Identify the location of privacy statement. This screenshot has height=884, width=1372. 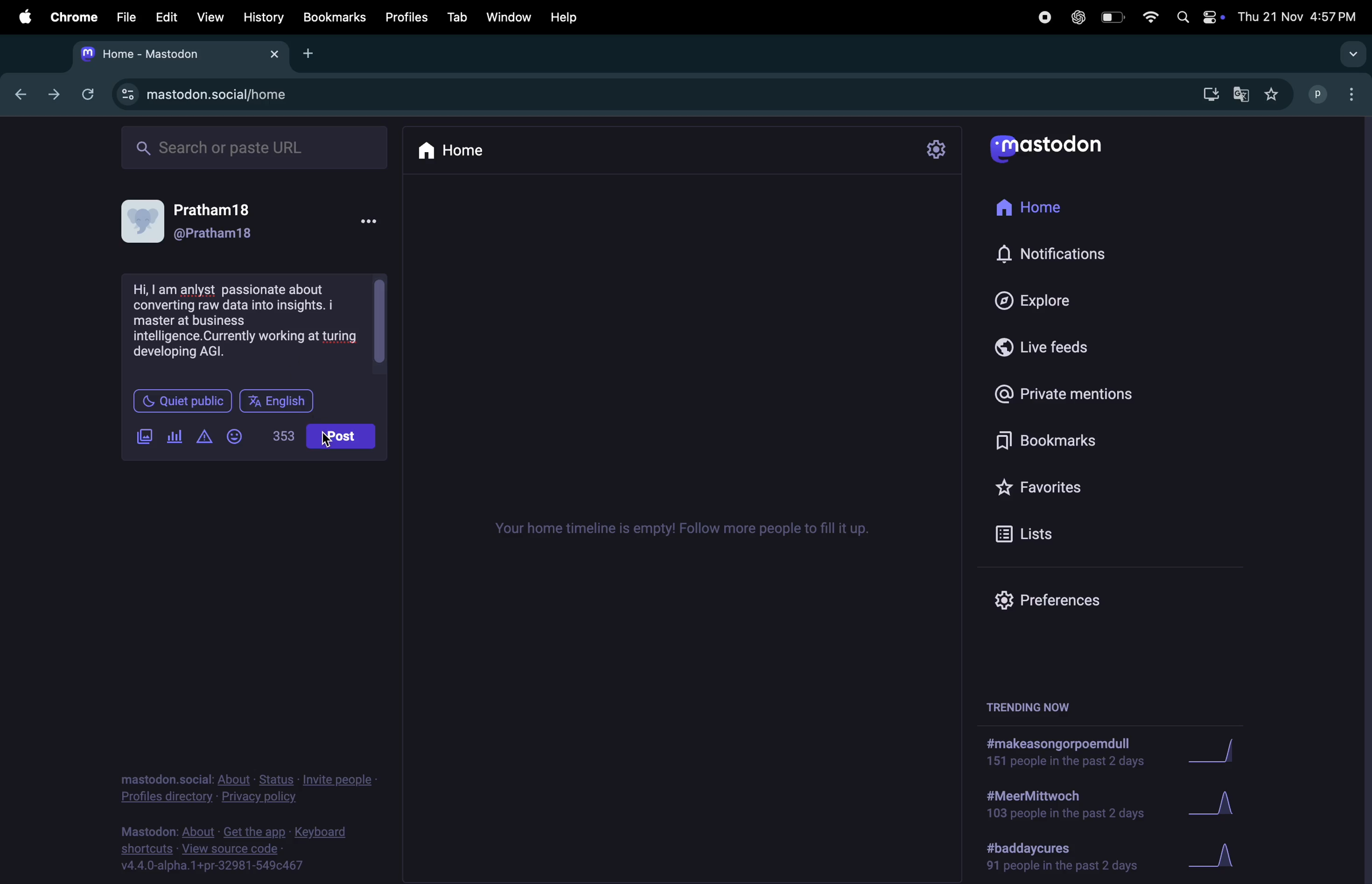
(248, 786).